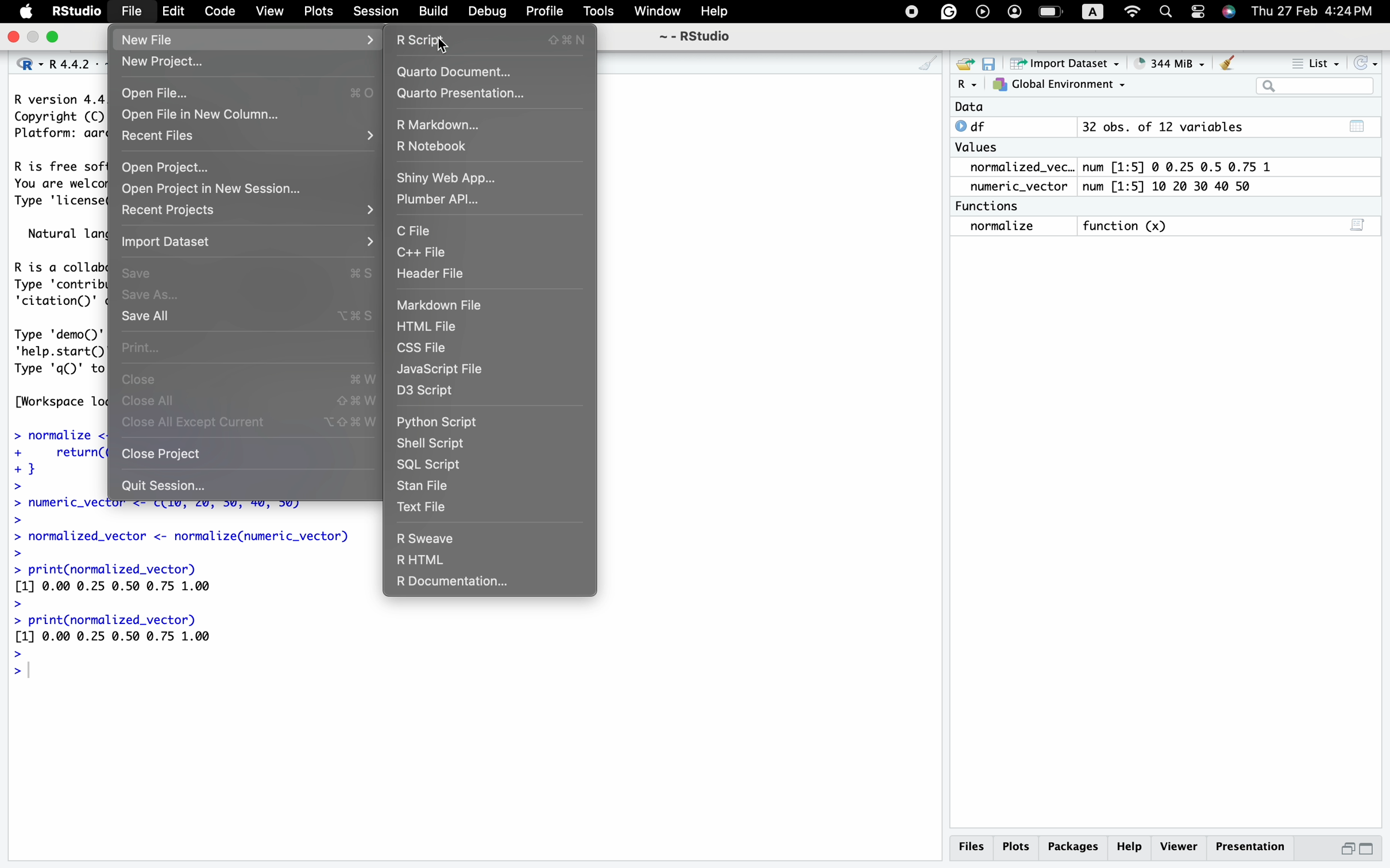 The height and width of the screenshot is (868, 1390). Describe the element at coordinates (440, 305) in the screenshot. I see `Markdown File` at that location.